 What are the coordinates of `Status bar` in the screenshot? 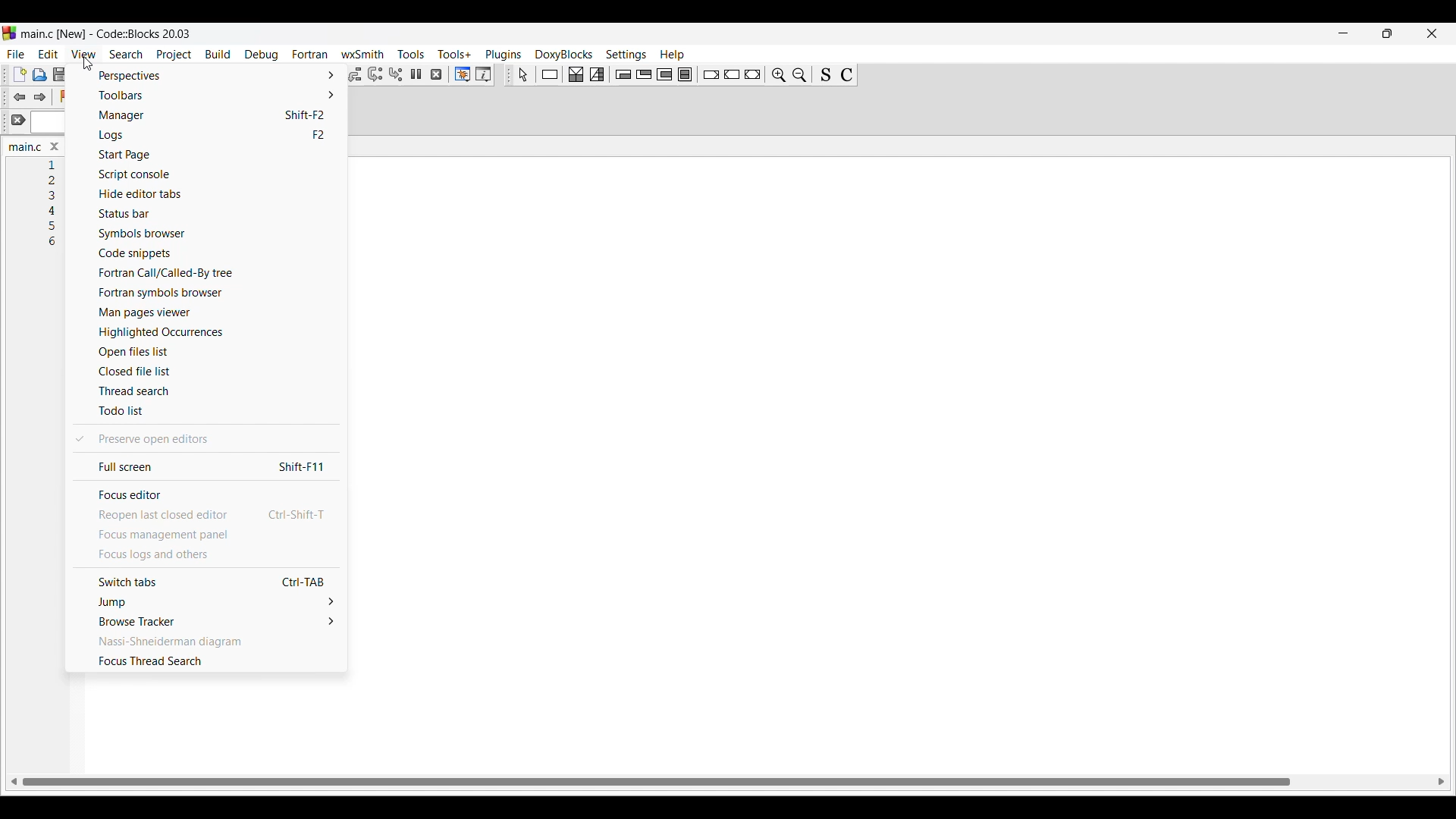 It's located at (209, 213).